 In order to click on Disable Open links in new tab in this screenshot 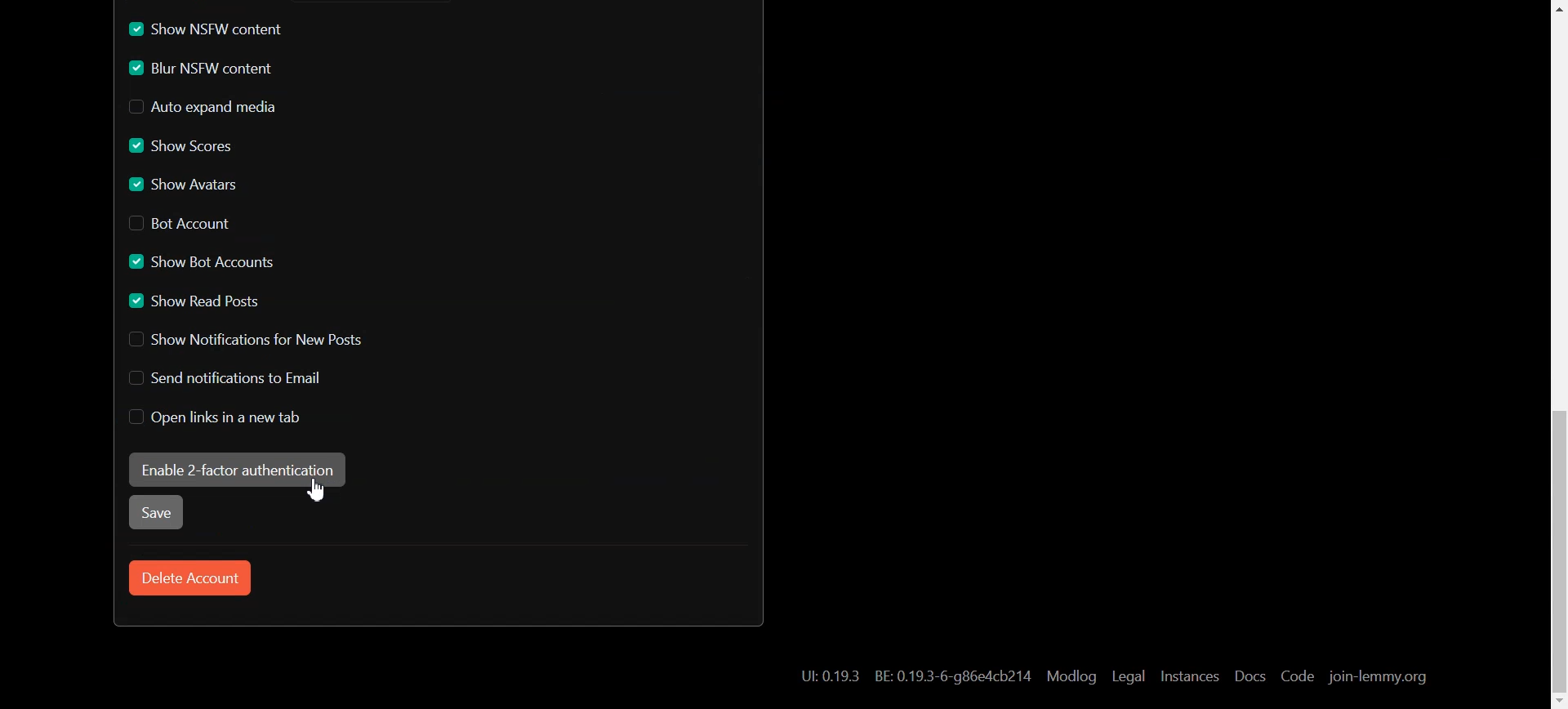, I will do `click(216, 417)`.